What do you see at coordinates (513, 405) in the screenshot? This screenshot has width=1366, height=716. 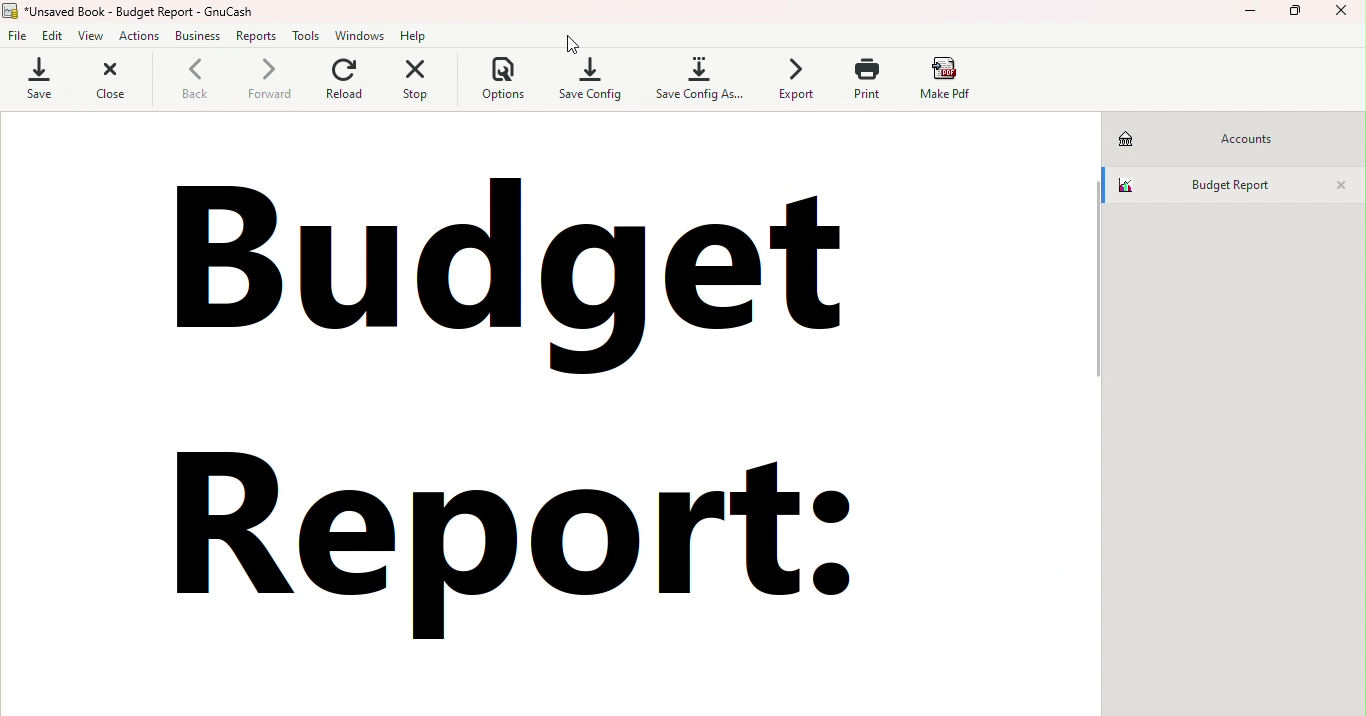 I see `Budget report` at bounding box center [513, 405].